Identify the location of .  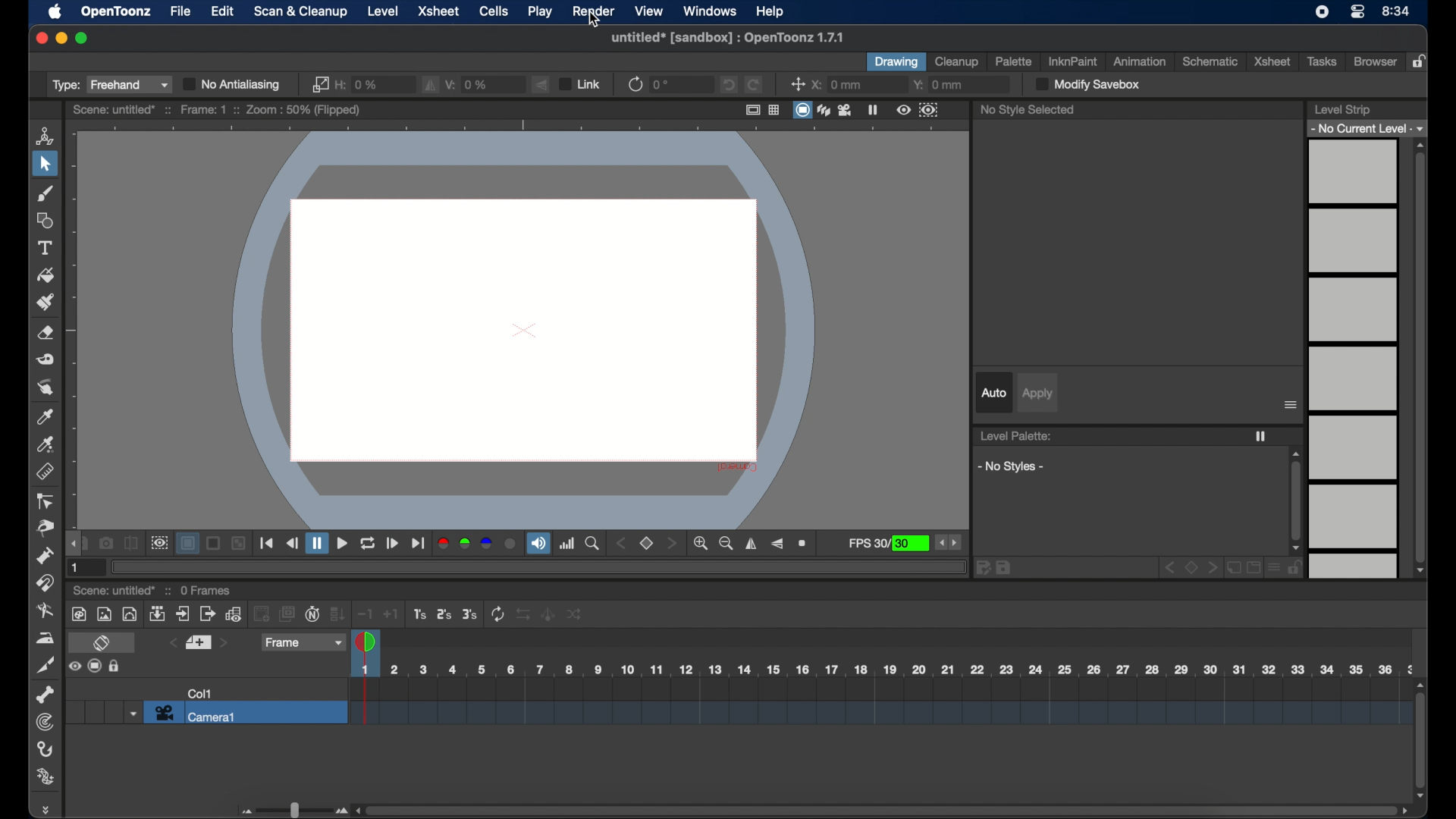
(417, 547).